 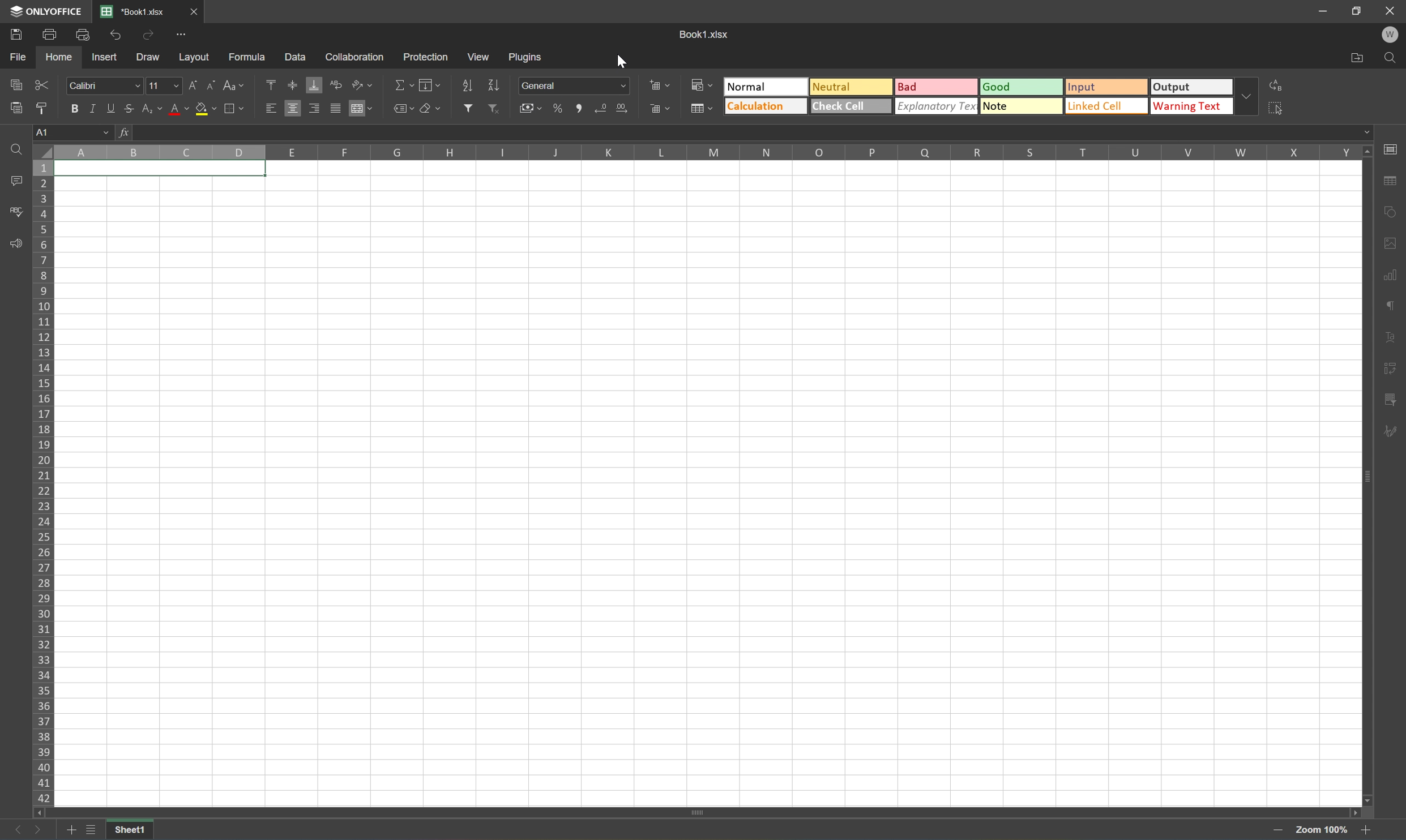 I want to click on find, so click(x=15, y=151).